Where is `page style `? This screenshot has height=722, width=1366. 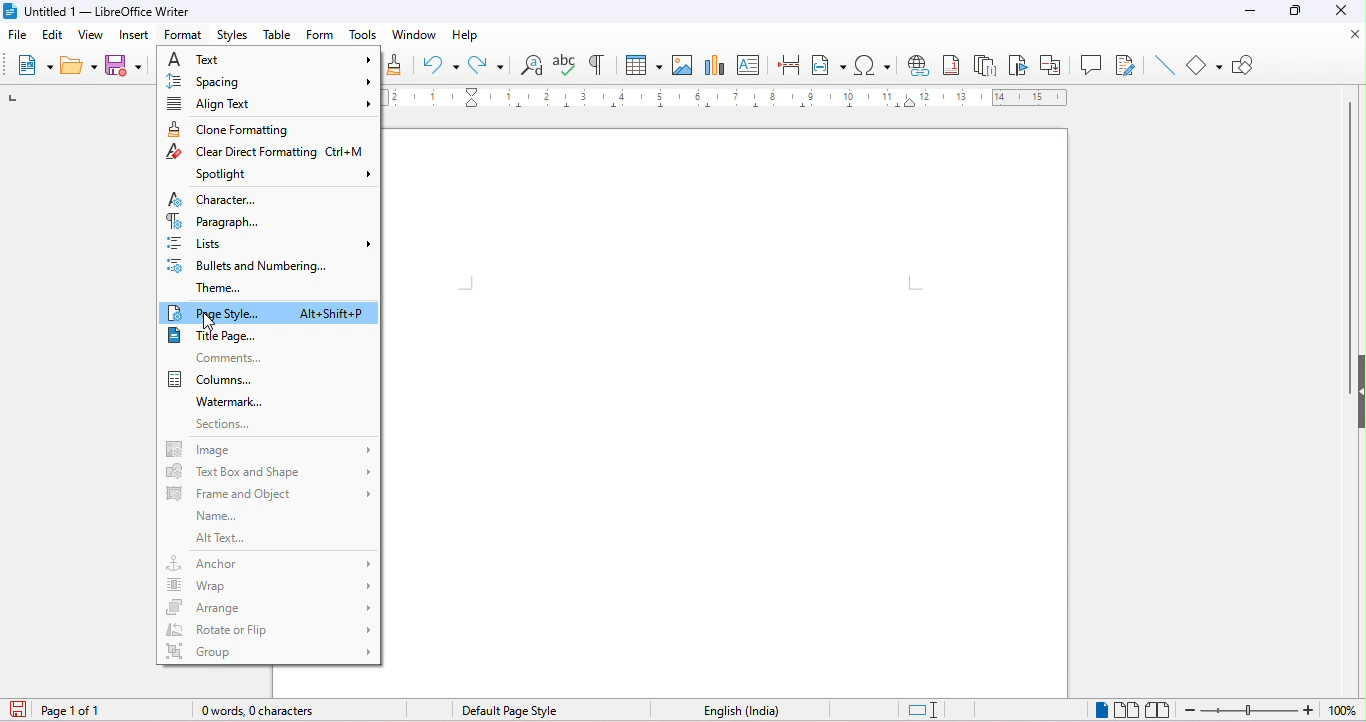
page style  is located at coordinates (508, 709).